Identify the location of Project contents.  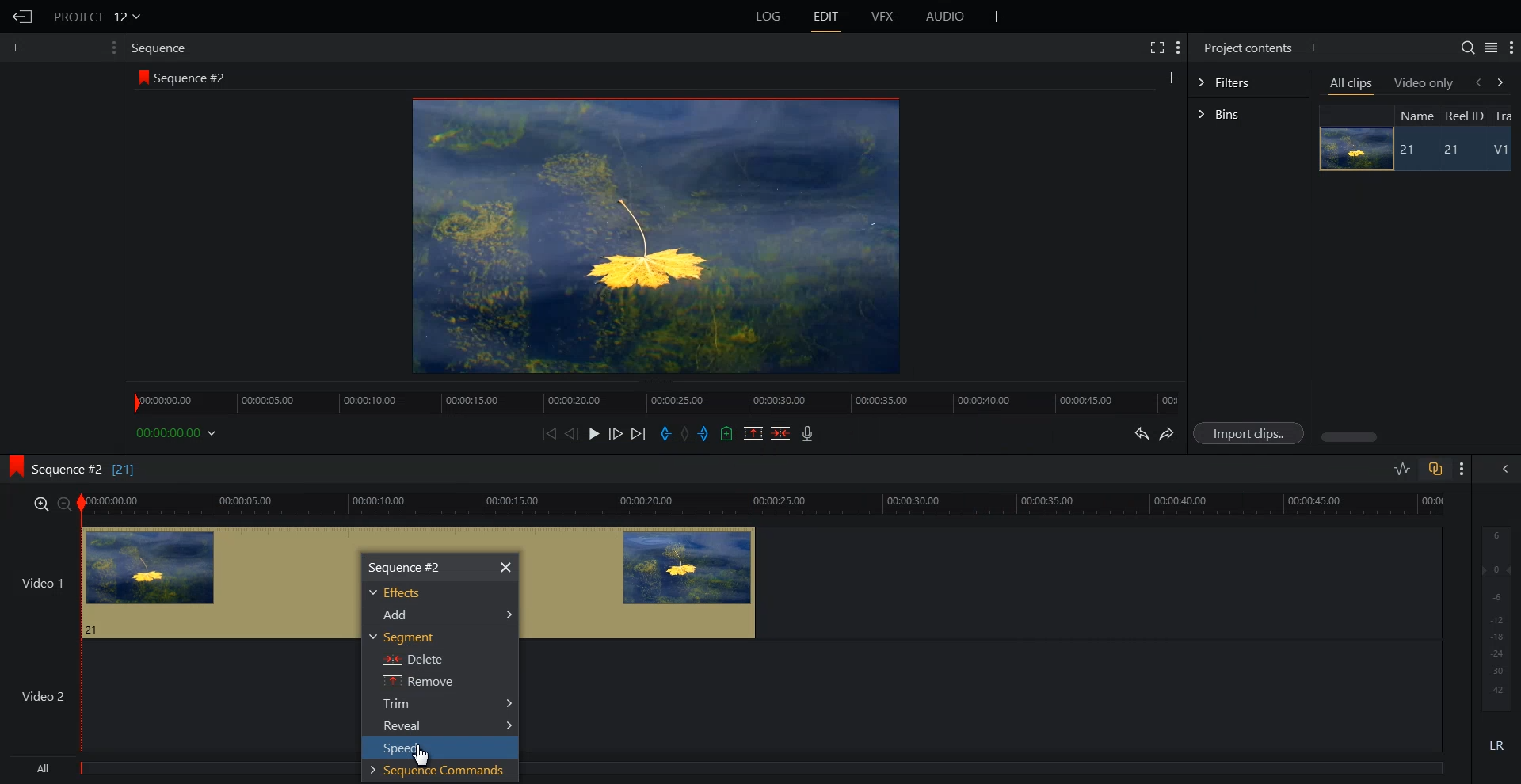
(1246, 46).